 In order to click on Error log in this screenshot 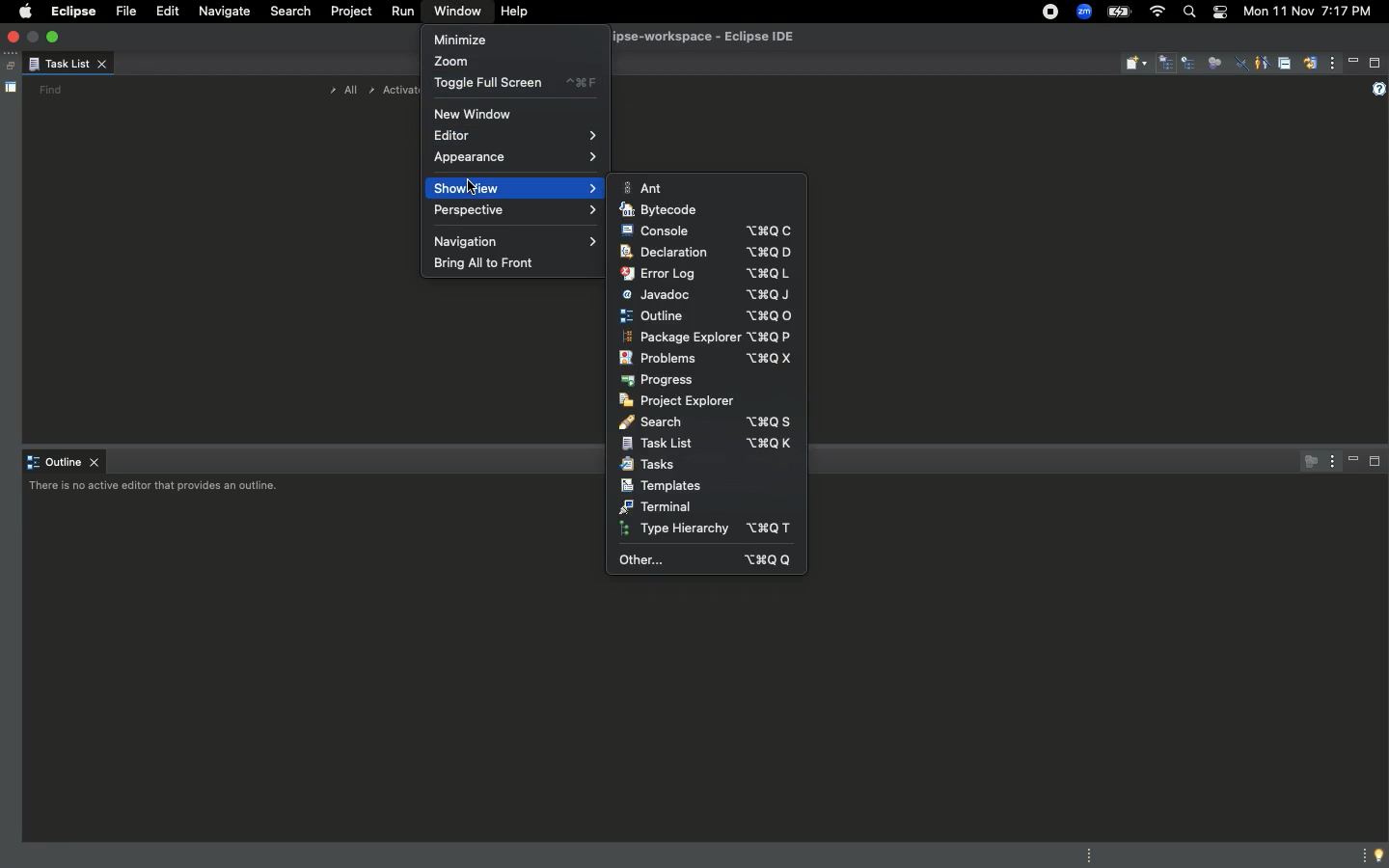, I will do `click(708, 273)`.